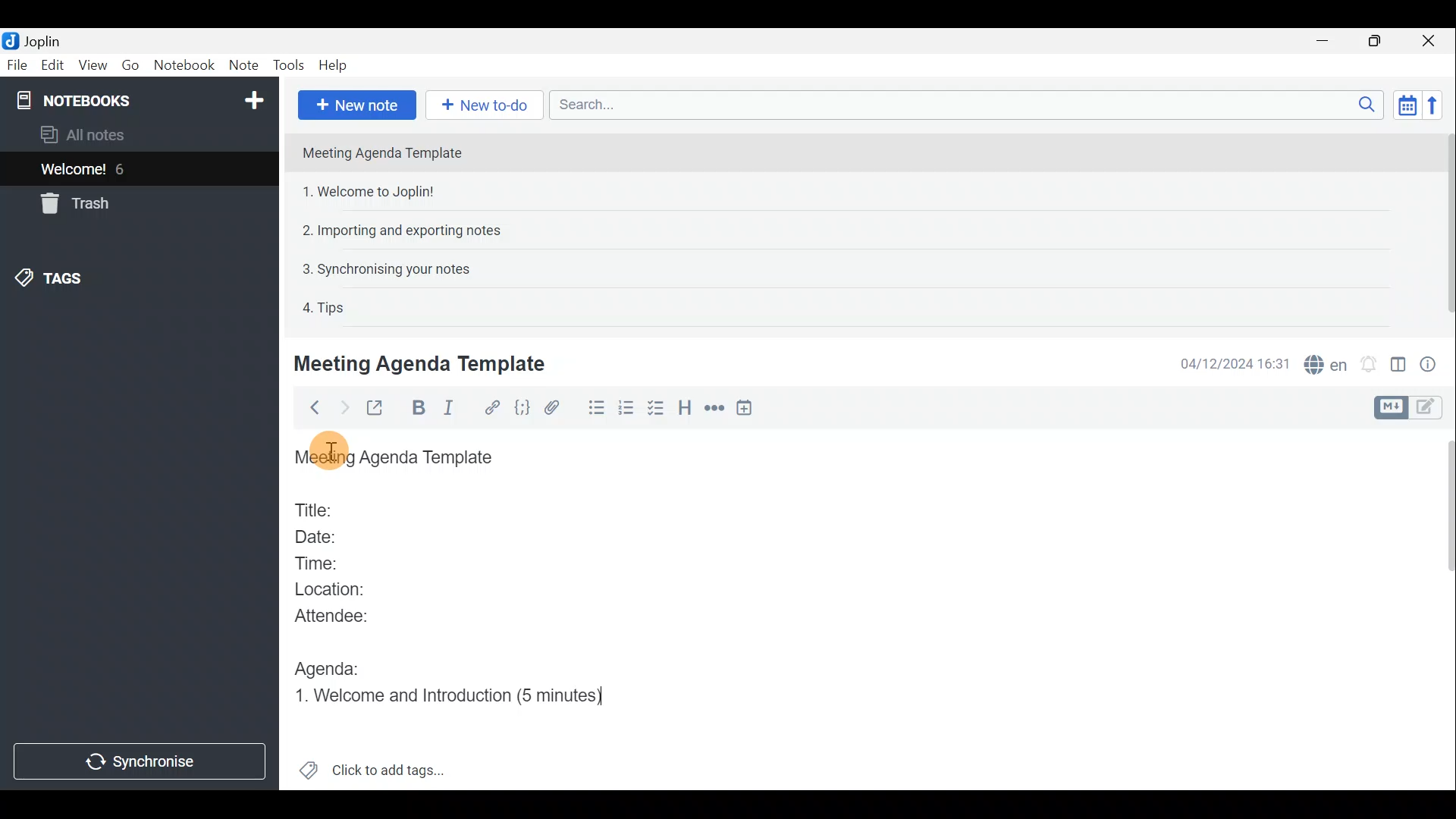 This screenshot has width=1456, height=819. Describe the element at coordinates (1429, 409) in the screenshot. I see `Toggle editors` at that location.